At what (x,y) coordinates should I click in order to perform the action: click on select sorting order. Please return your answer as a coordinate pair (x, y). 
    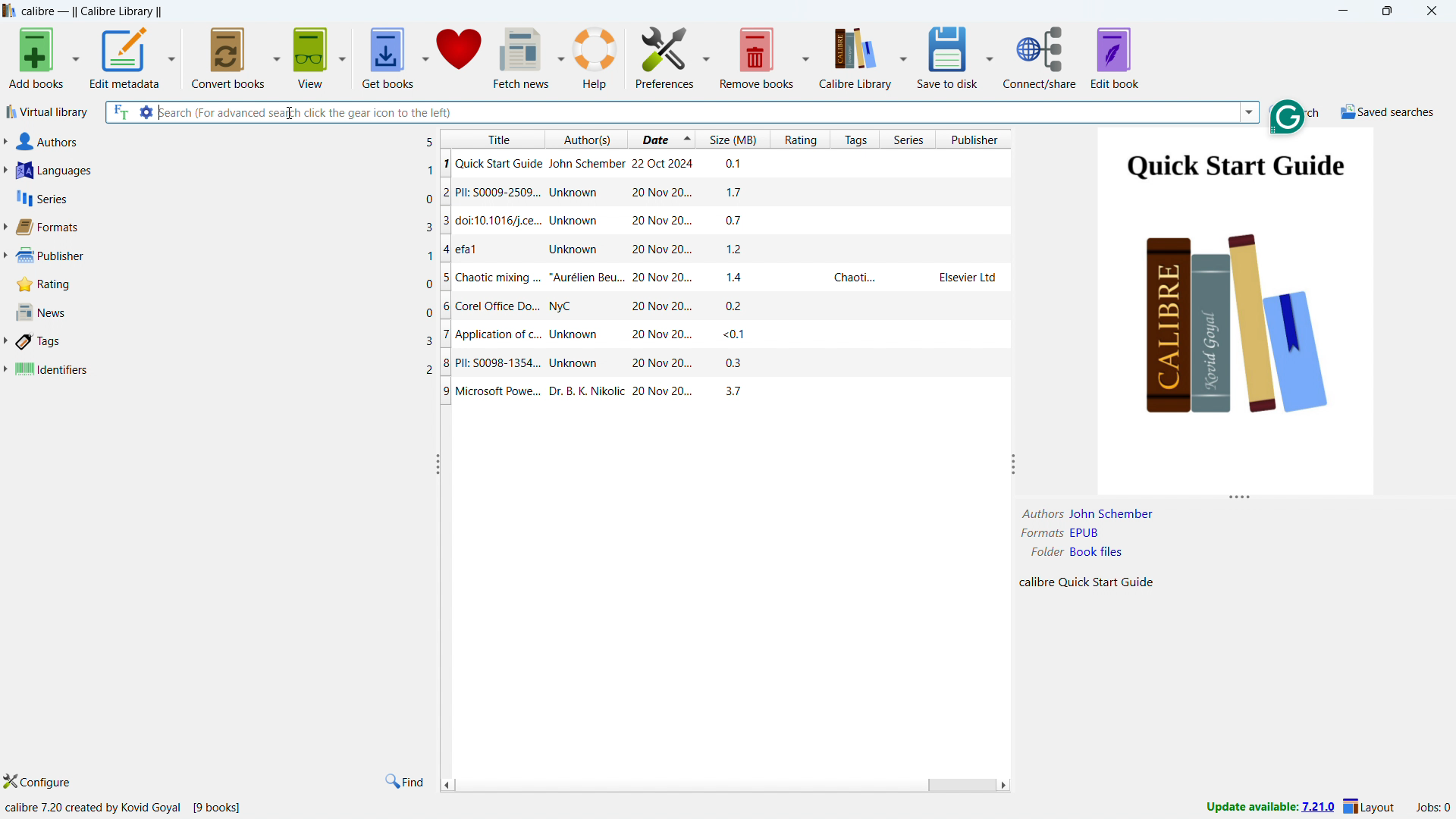
    Looking at the image, I should click on (687, 139).